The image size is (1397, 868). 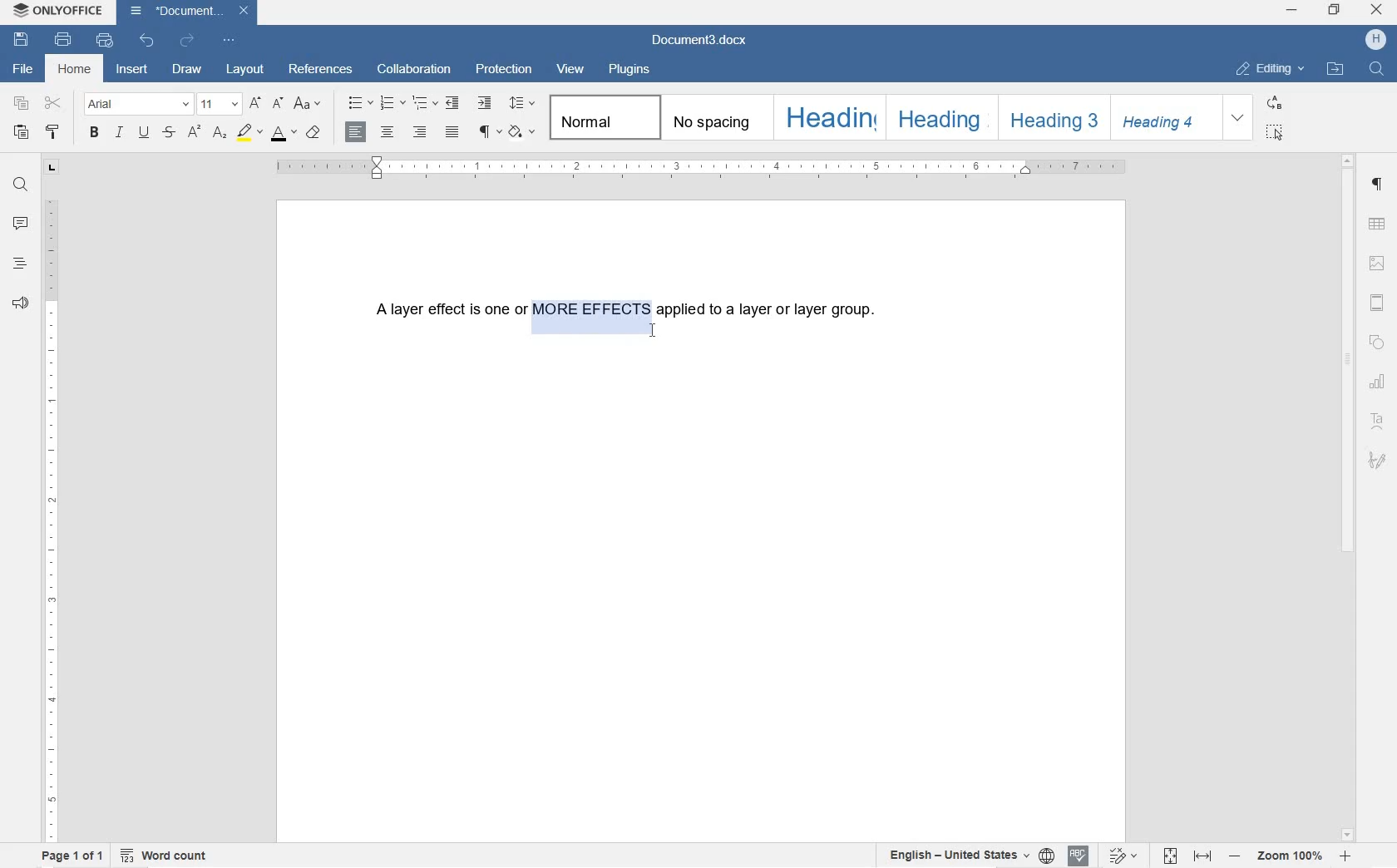 What do you see at coordinates (187, 40) in the screenshot?
I see `REDO` at bounding box center [187, 40].